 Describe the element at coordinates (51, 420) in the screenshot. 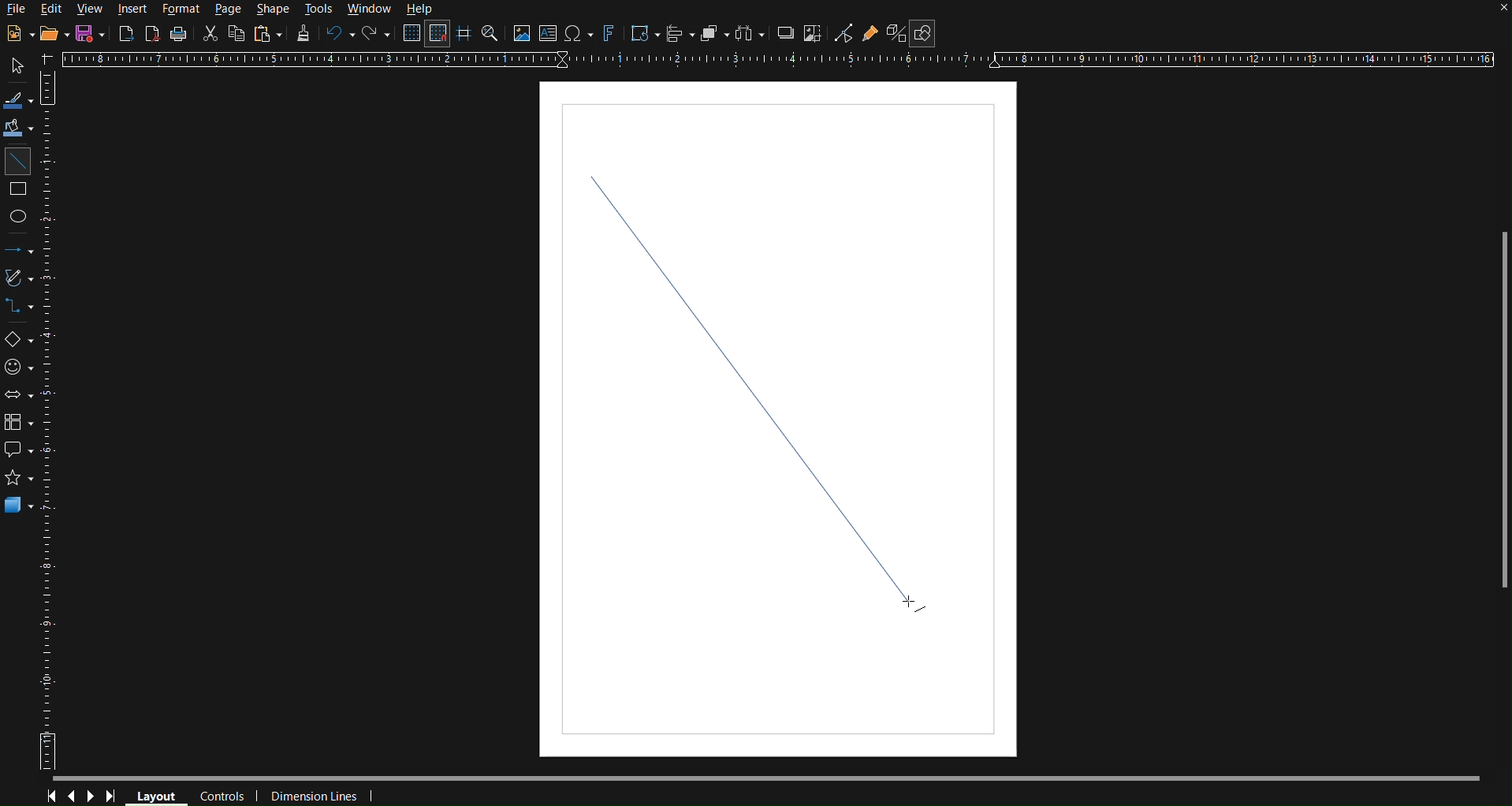

I see `Vertical Horizontal` at that location.